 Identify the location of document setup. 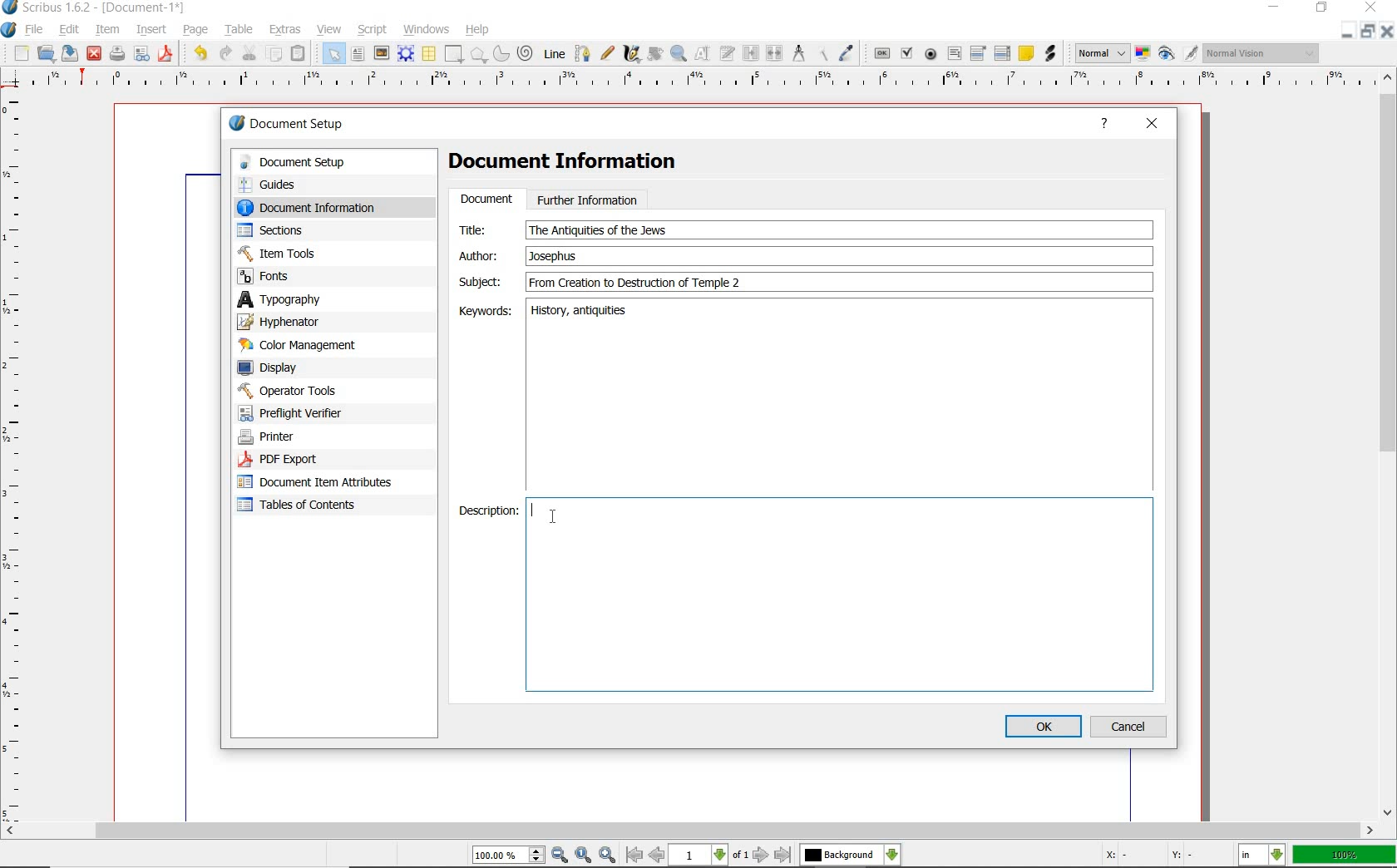
(288, 123).